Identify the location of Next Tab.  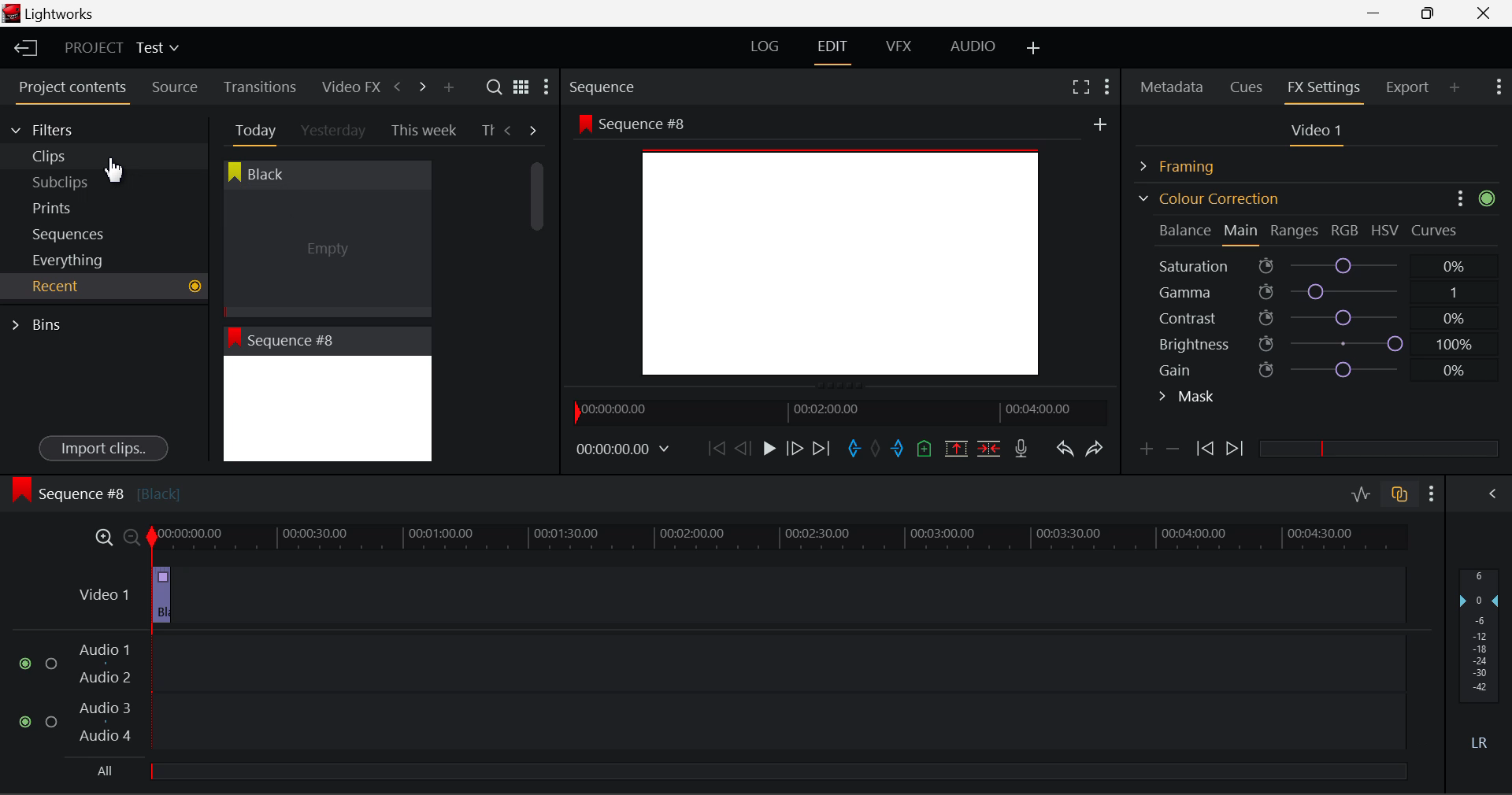
(534, 129).